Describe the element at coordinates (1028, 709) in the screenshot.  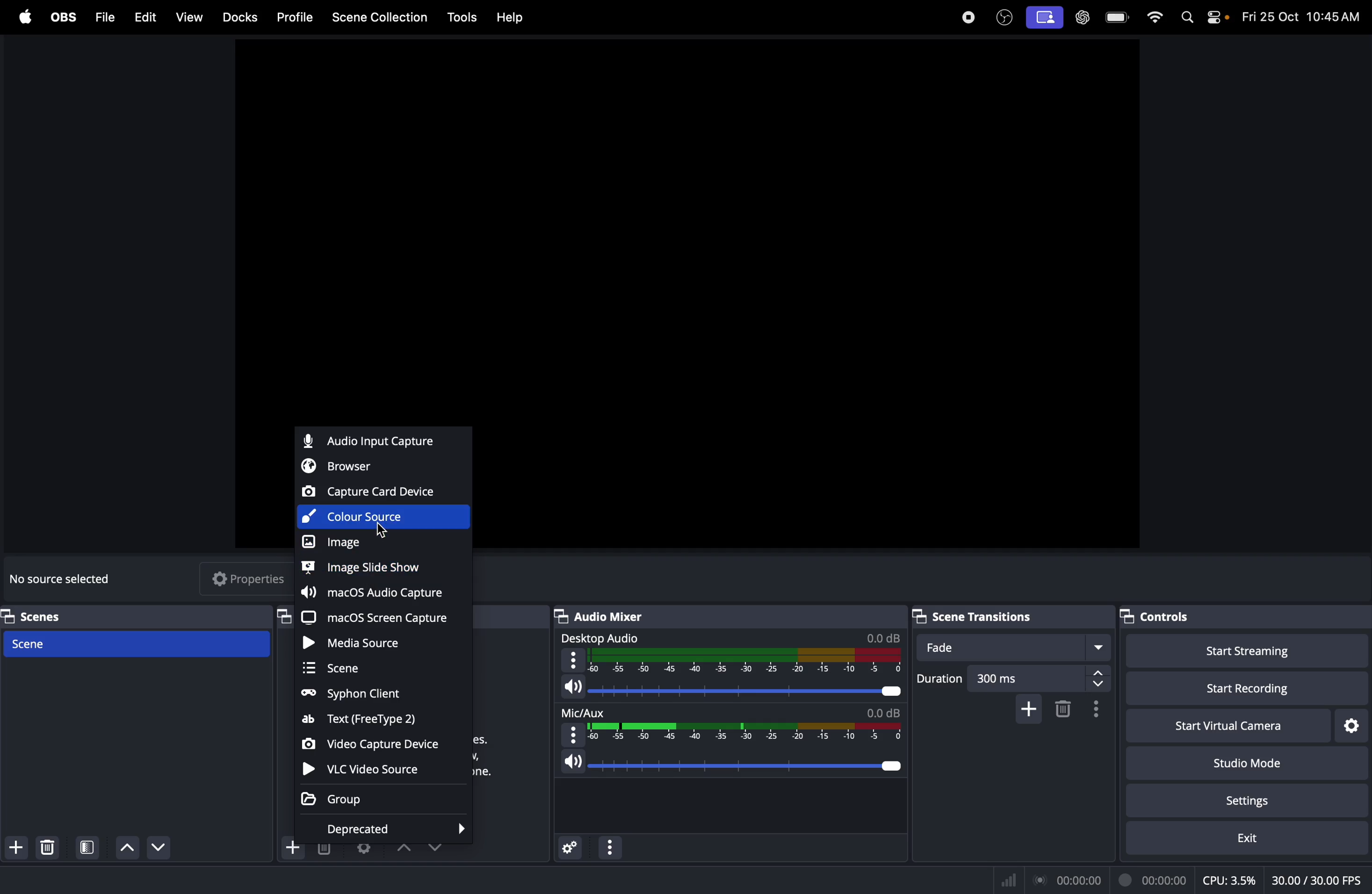
I see `add cofigurable transition` at that location.